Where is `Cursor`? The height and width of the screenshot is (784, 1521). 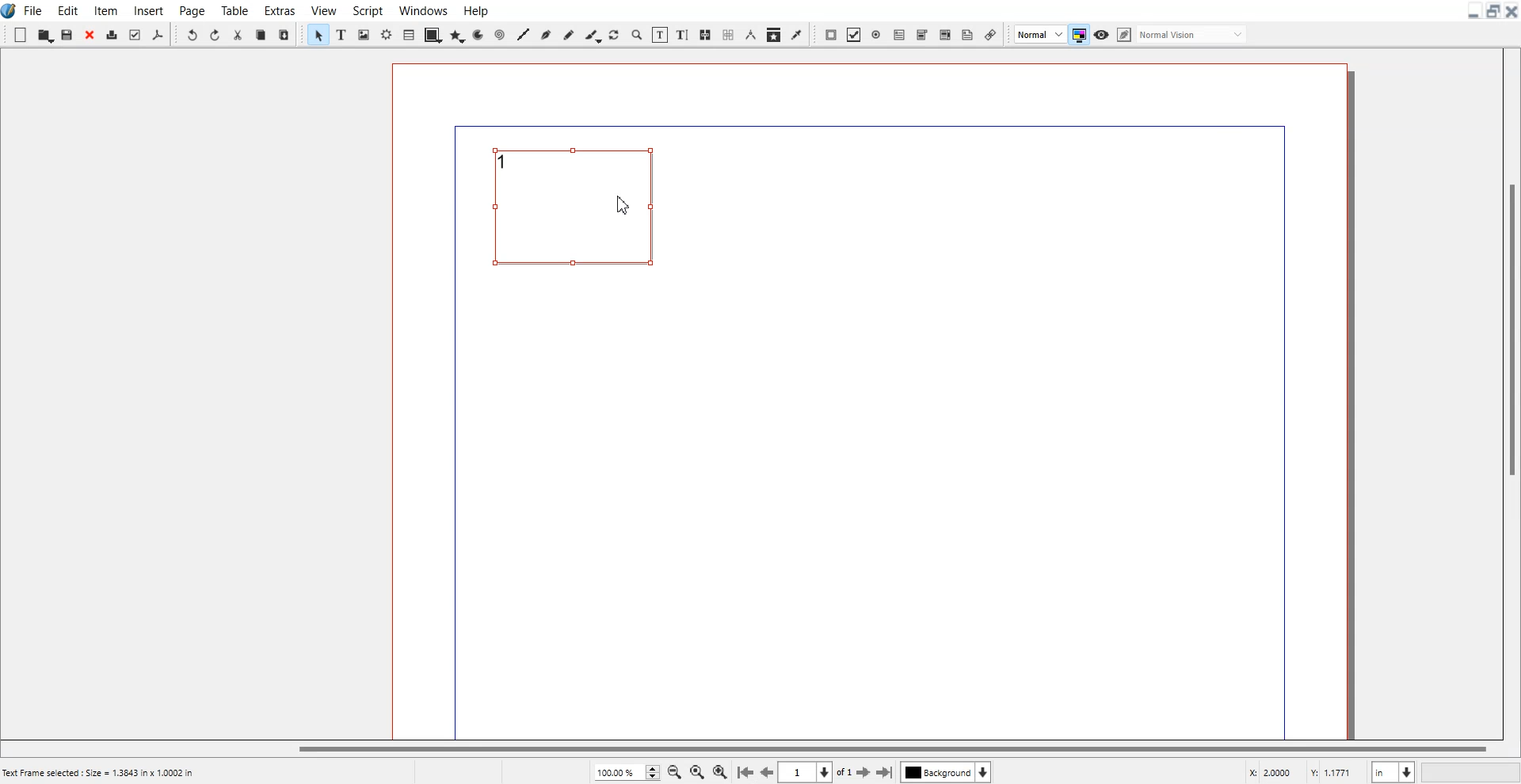 Cursor is located at coordinates (624, 204).